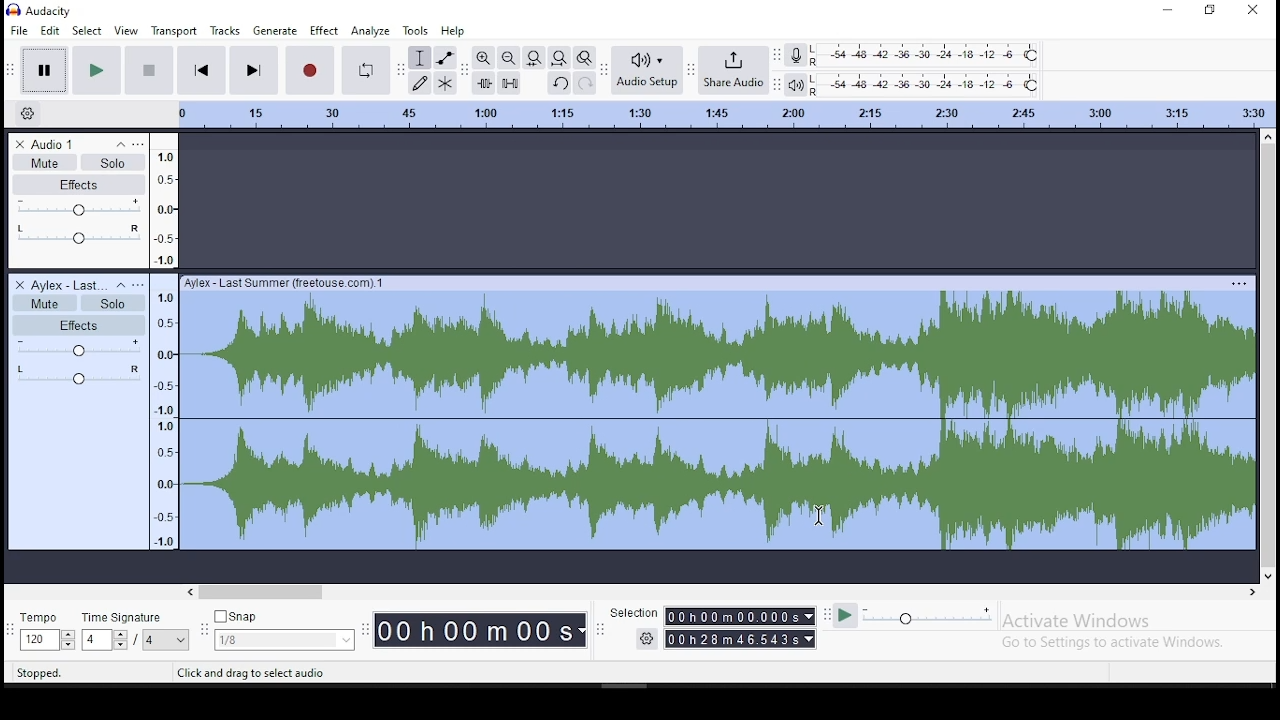 This screenshot has height=720, width=1280. What do you see at coordinates (50, 30) in the screenshot?
I see `edit` at bounding box center [50, 30].